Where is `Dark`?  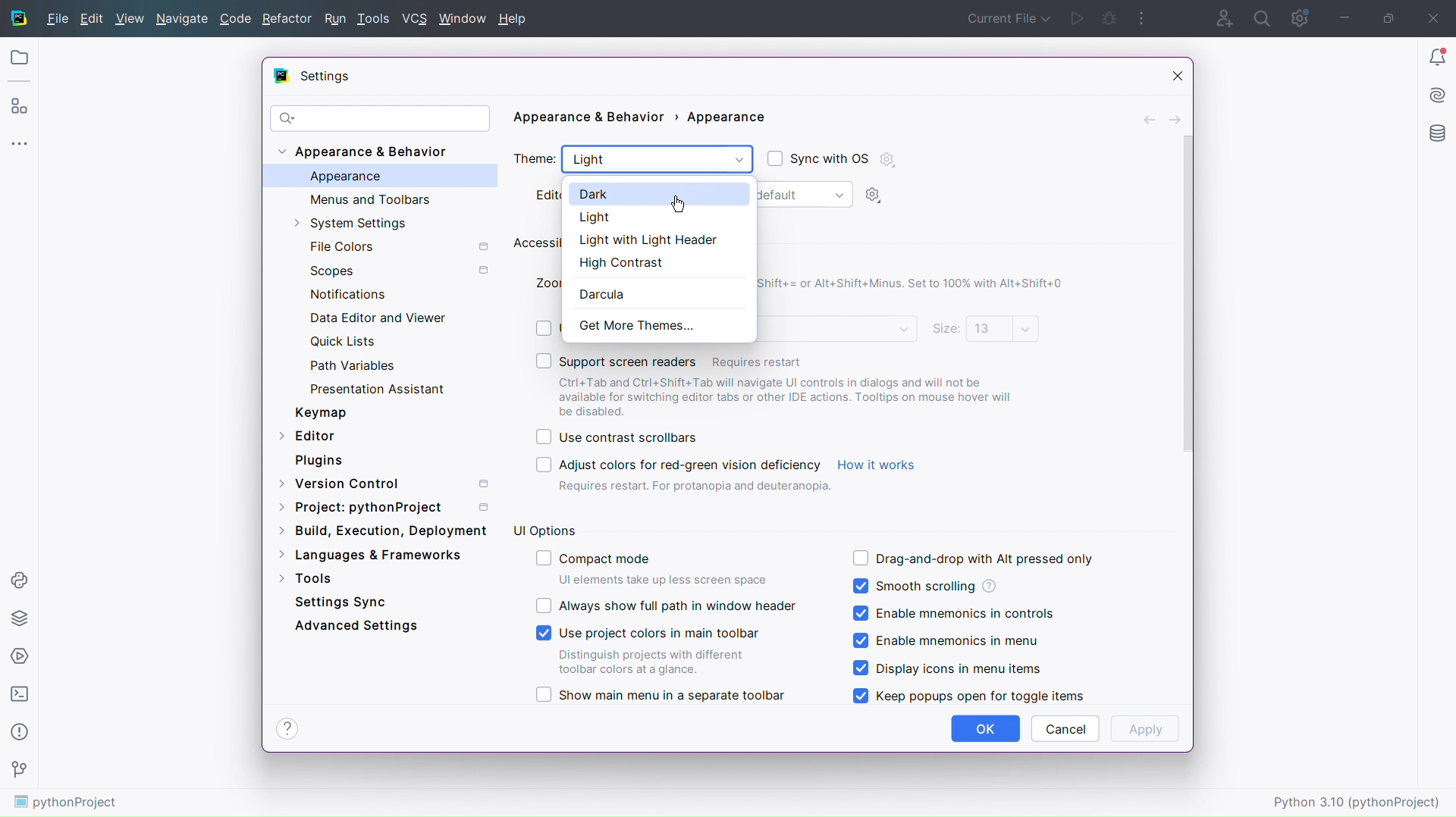
Dark is located at coordinates (658, 195).